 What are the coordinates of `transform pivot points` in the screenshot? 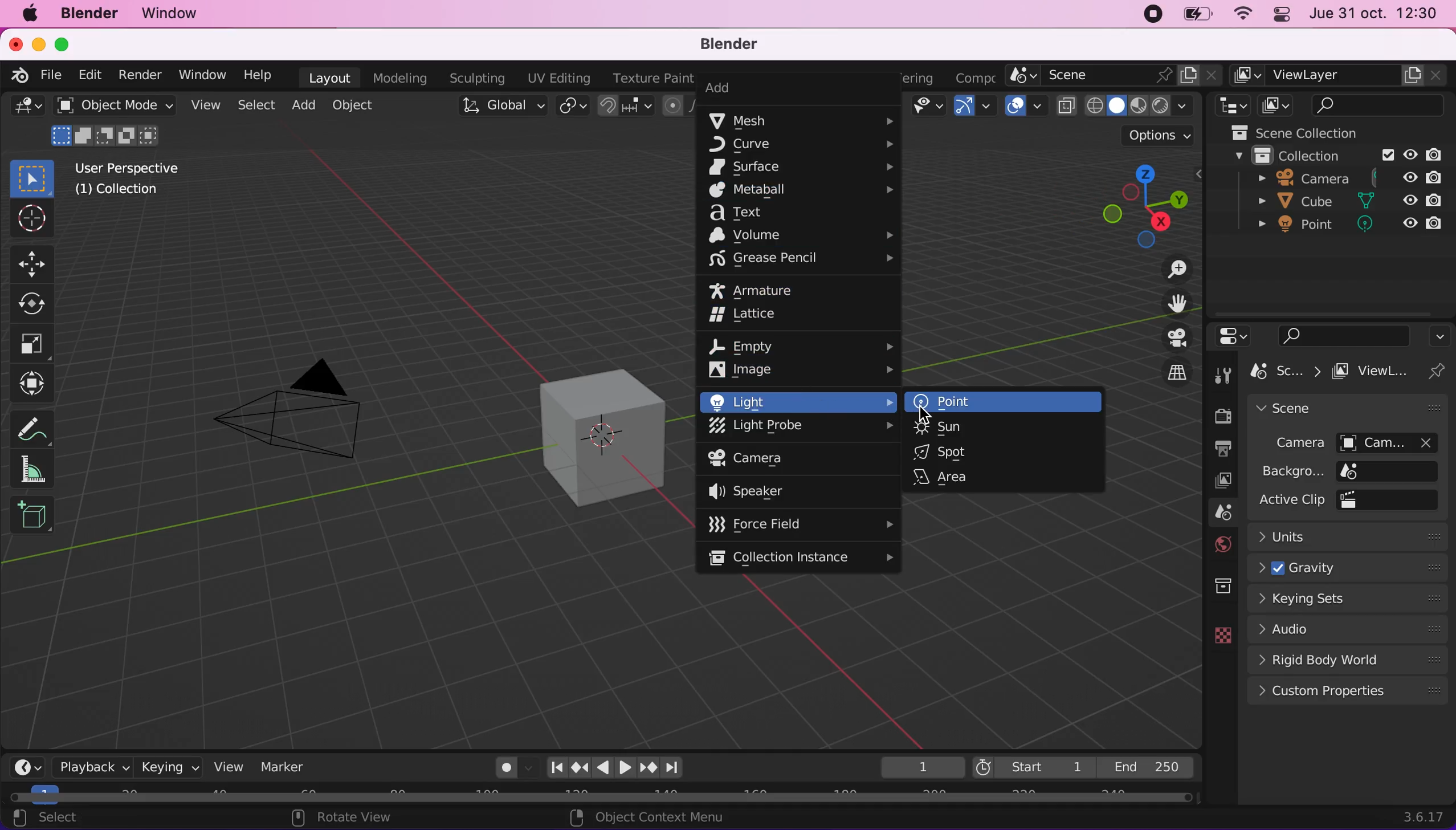 It's located at (570, 107).